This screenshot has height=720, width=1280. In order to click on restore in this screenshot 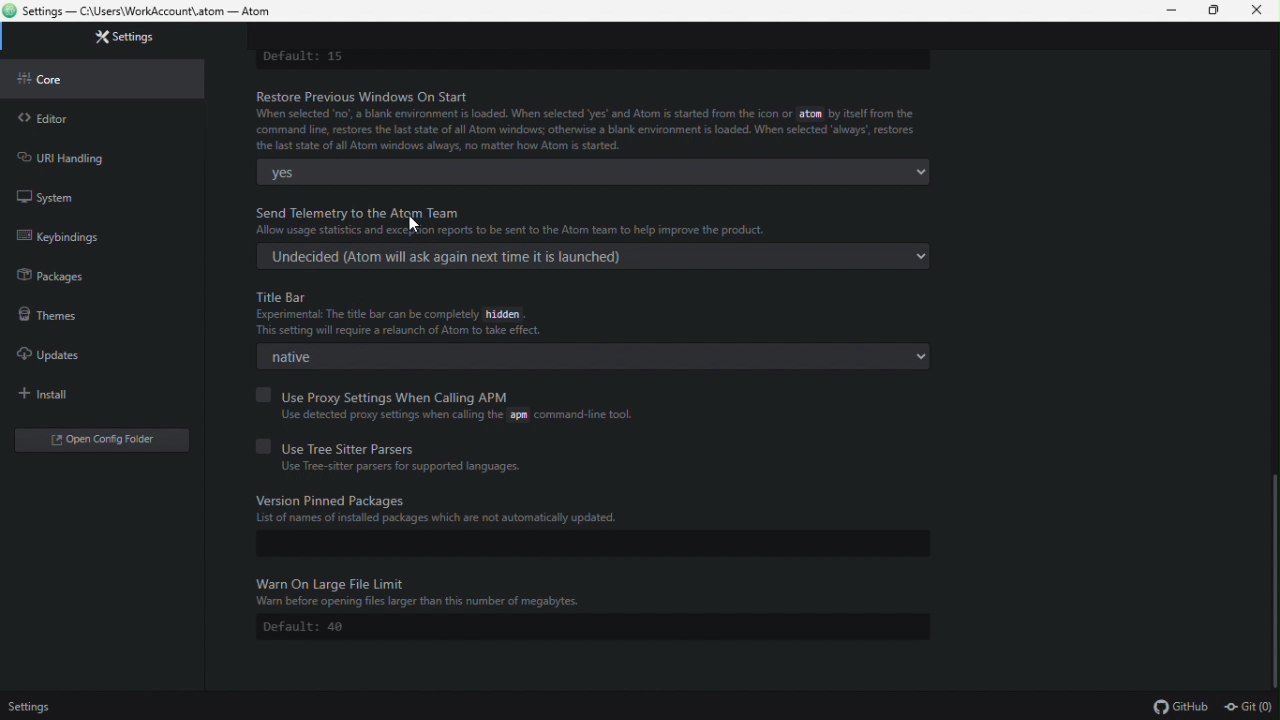, I will do `click(1218, 11)`.